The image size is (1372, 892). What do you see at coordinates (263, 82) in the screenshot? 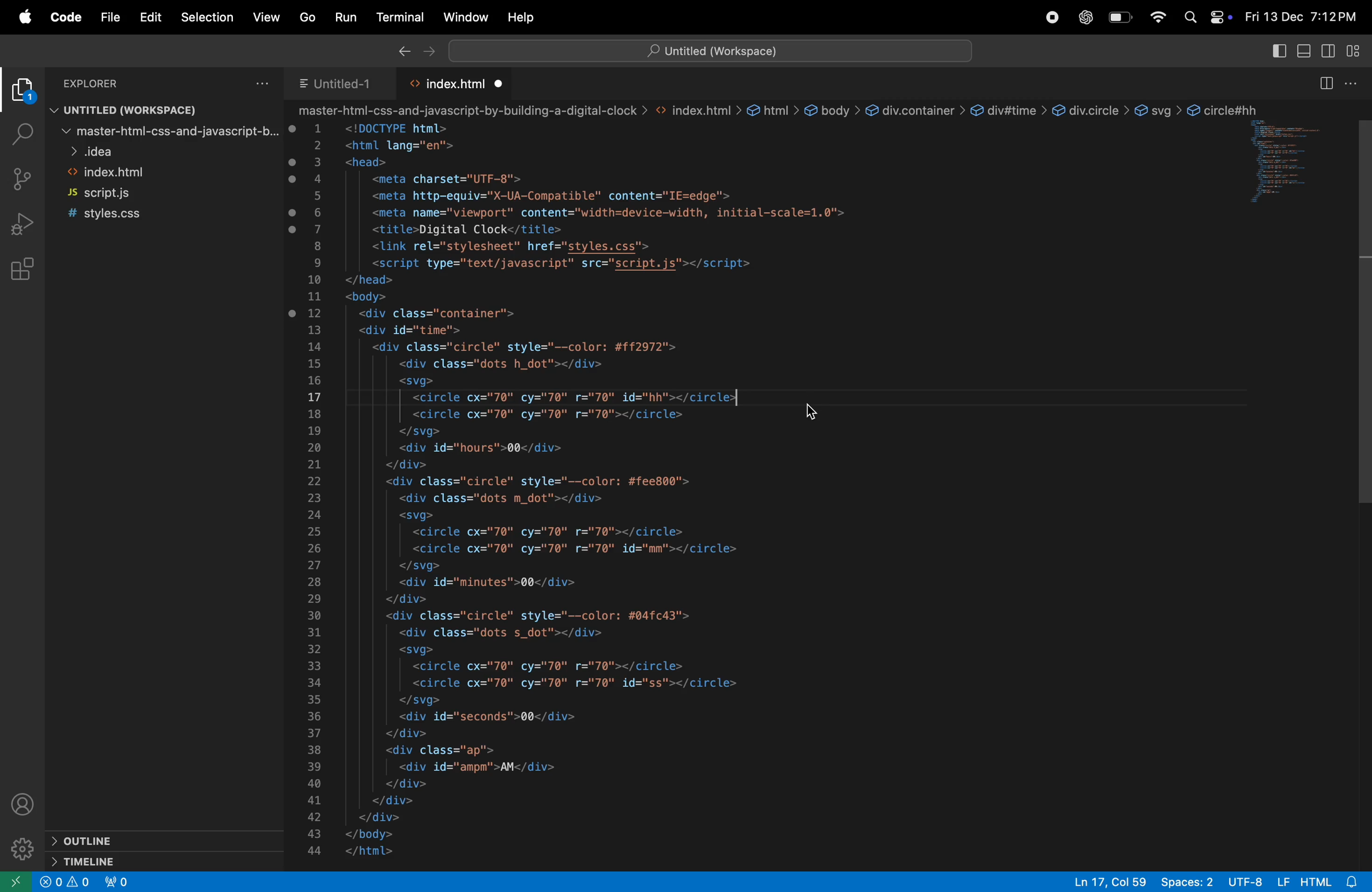
I see `options` at bounding box center [263, 82].